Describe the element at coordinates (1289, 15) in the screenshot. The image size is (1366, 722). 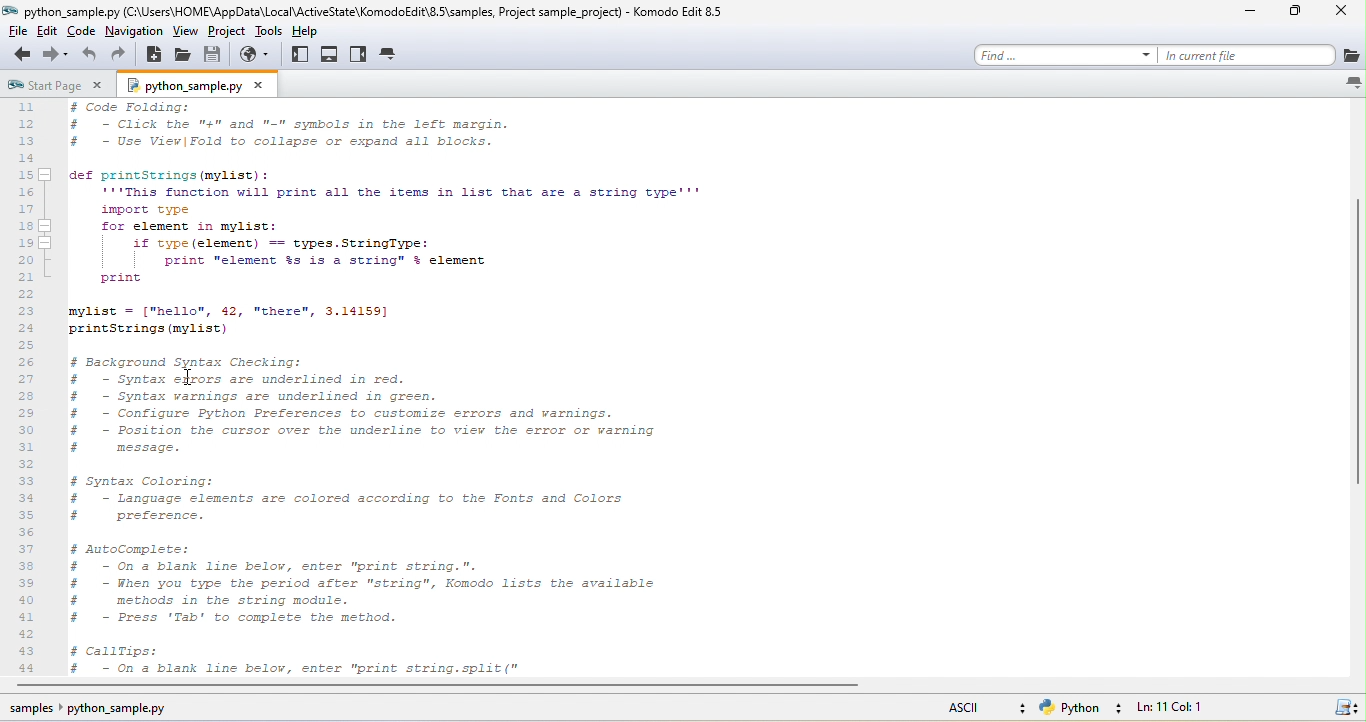
I see `maximize` at that location.